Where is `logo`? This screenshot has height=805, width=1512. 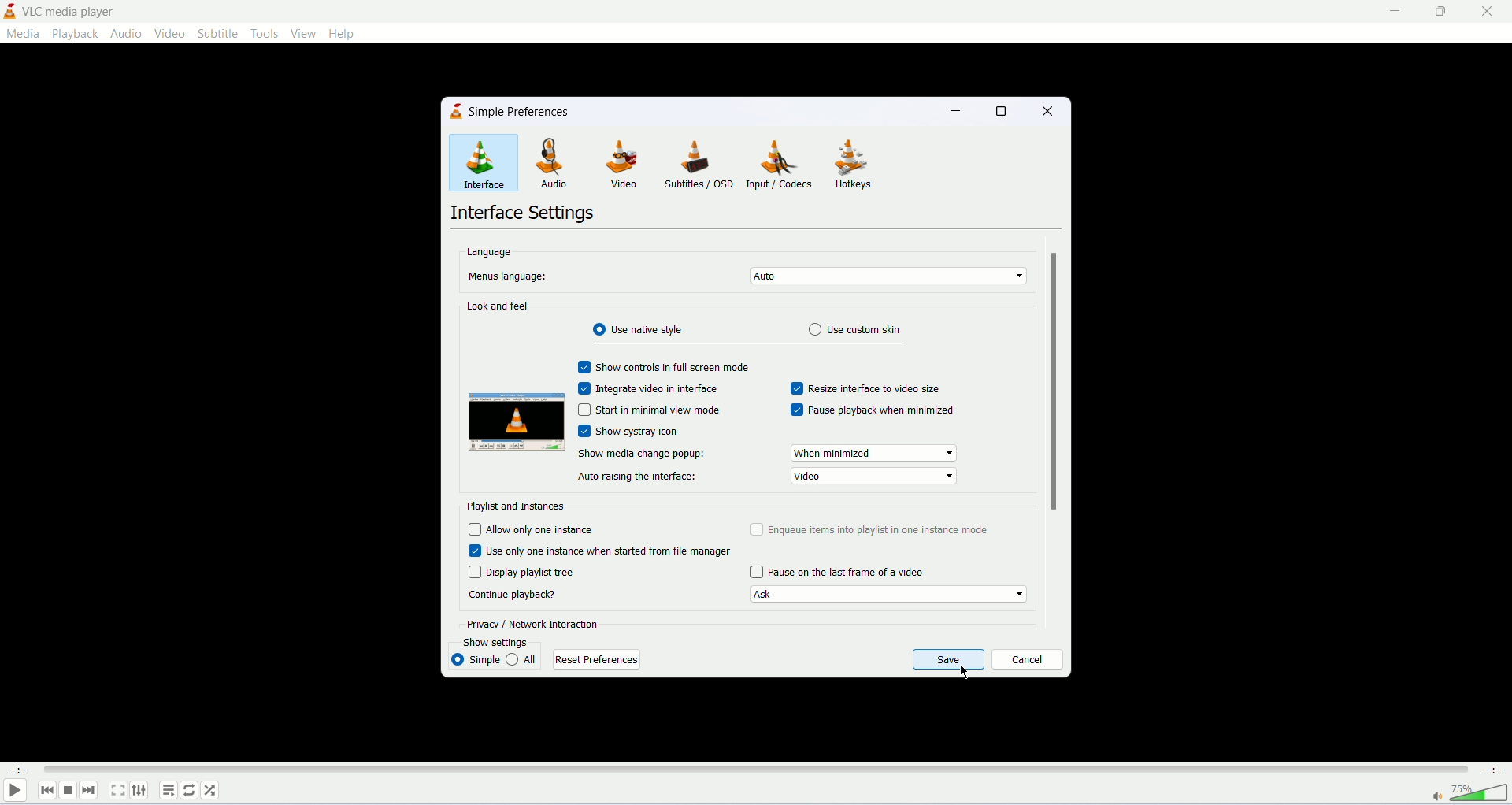
logo is located at coordinates (456, 112).